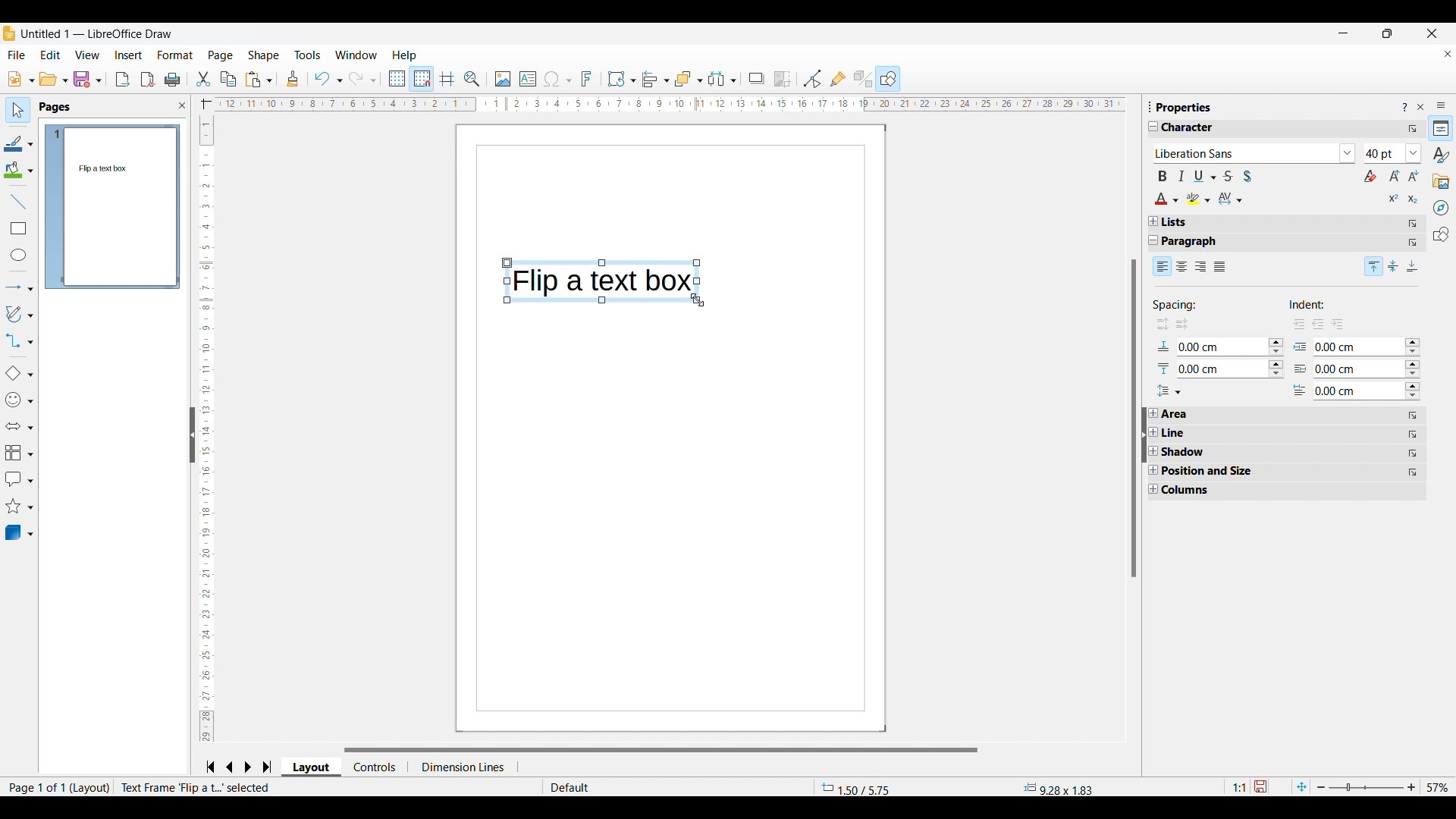 The image size is (1456, 819). What do you see at coordinates (259, 80) in the screenshot?
I see `Paste` at bounding box center [259, 80].